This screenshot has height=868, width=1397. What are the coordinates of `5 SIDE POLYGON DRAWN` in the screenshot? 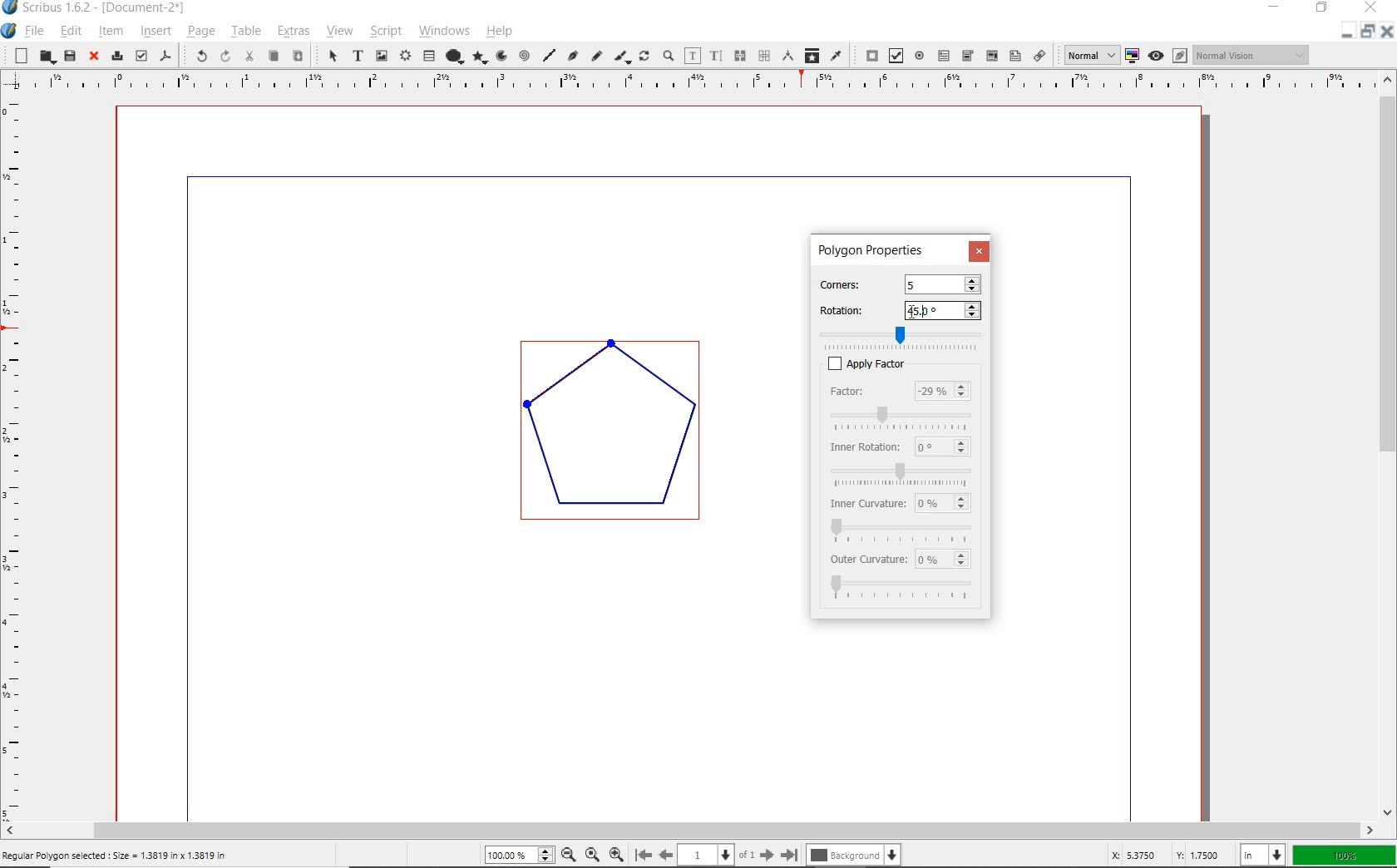 It's located at (623, 439).